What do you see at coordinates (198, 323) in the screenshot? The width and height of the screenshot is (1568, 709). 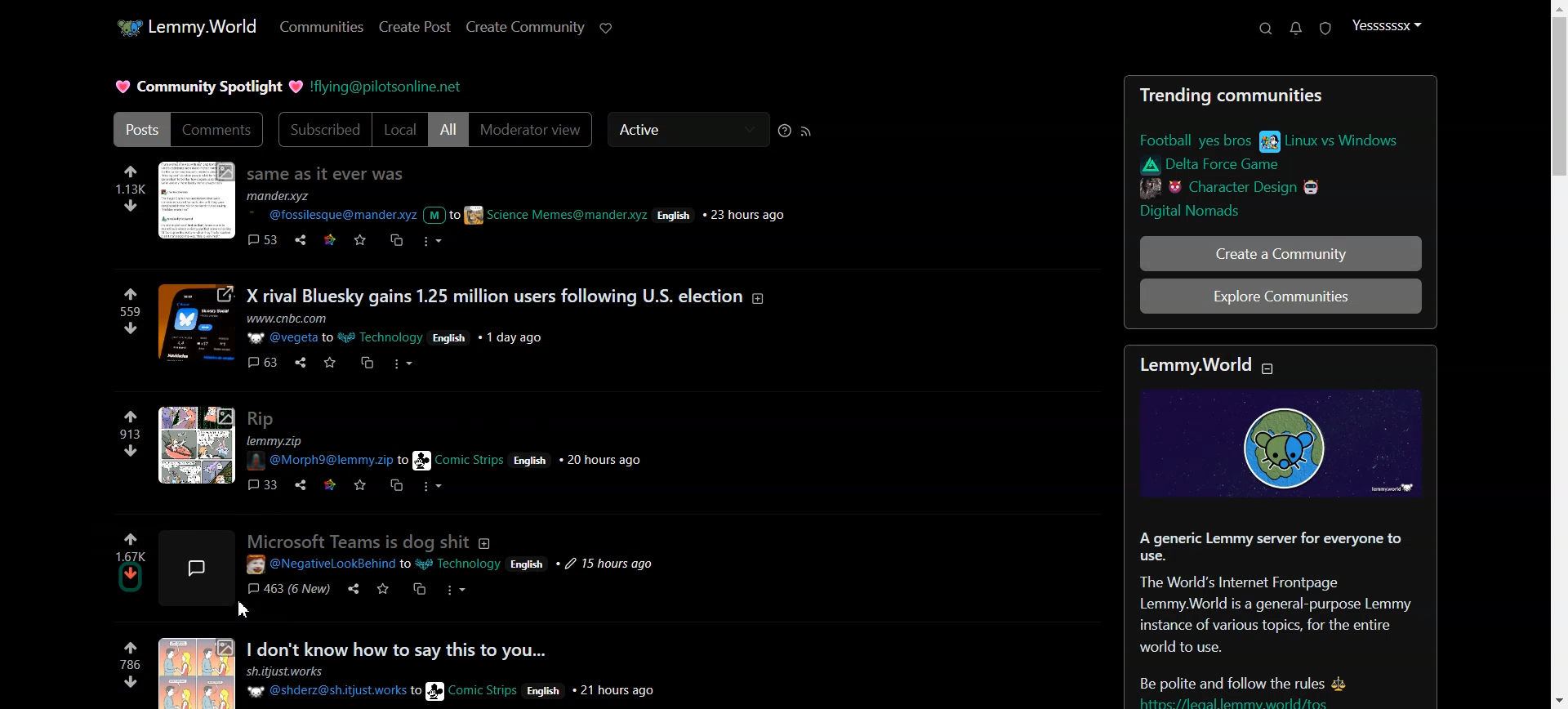 I see `image` at bounding box center [198, 323].